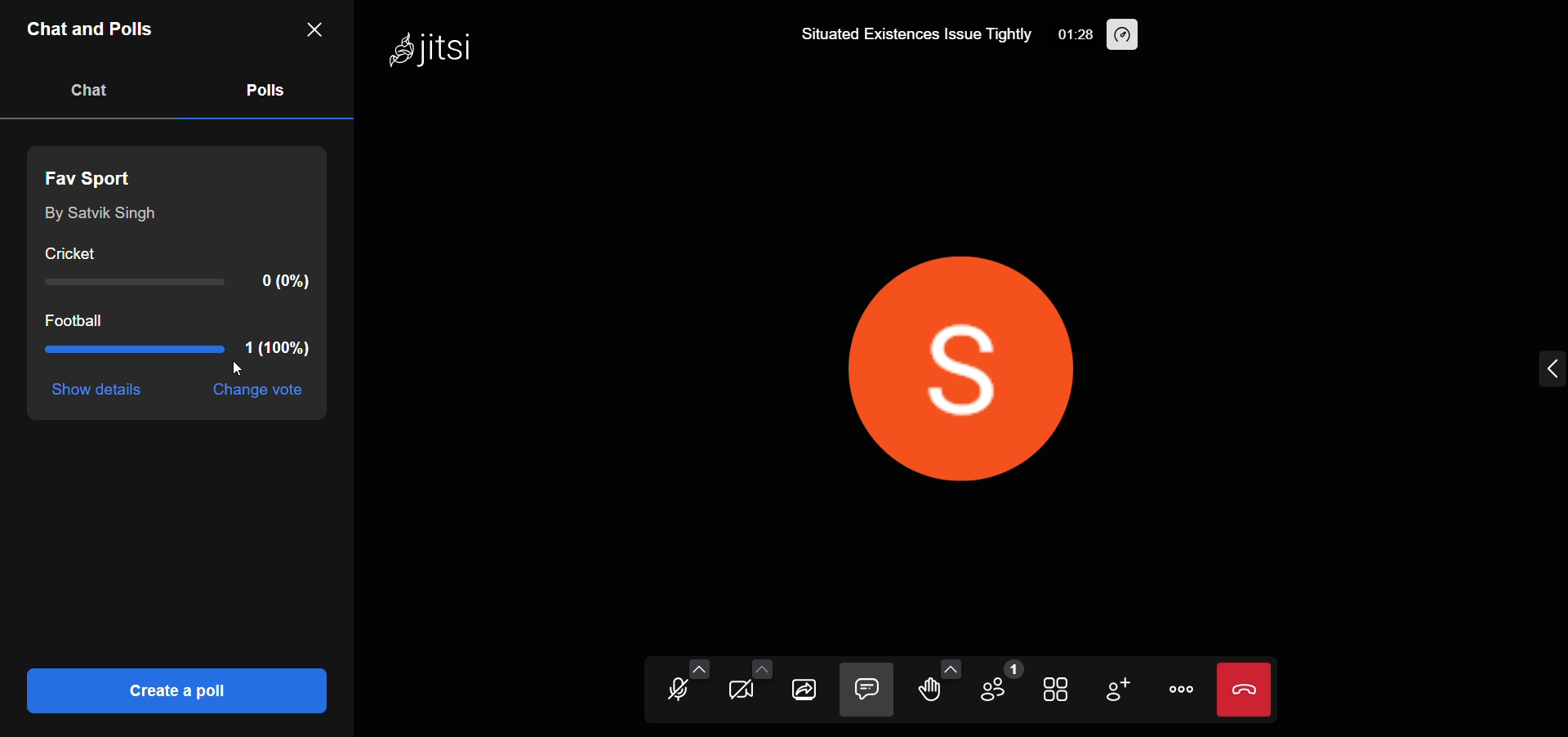 This screenshot has width=1568, height=737. Describe the element at coordinates (804, 690) in the screenshot. I see `screen share` at that location.